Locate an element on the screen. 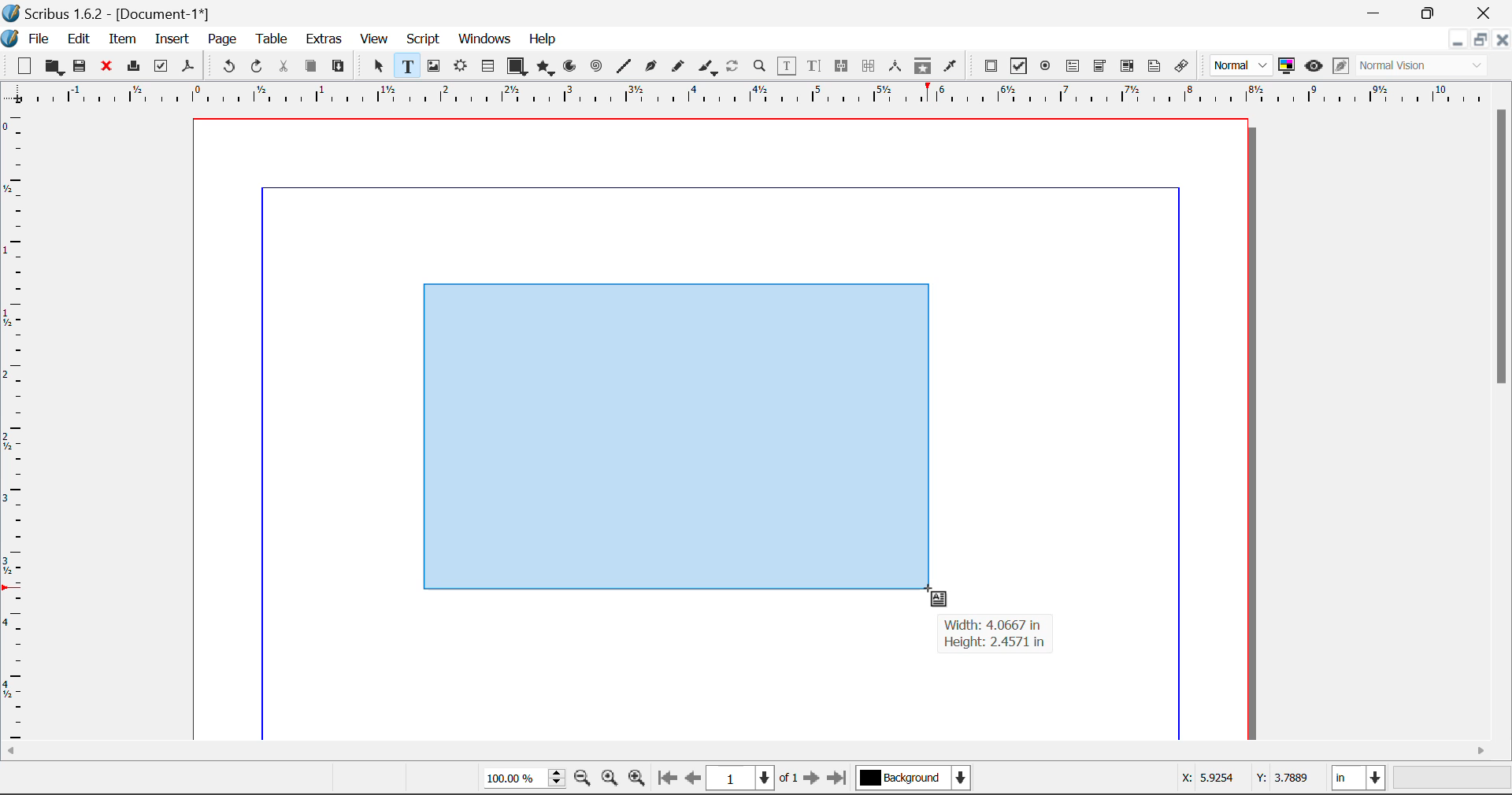 The height and width of the screenshot is (795, 1512). Width: 4.0667 in, Height: 2.4571 in is located at coordinates (995, 634).